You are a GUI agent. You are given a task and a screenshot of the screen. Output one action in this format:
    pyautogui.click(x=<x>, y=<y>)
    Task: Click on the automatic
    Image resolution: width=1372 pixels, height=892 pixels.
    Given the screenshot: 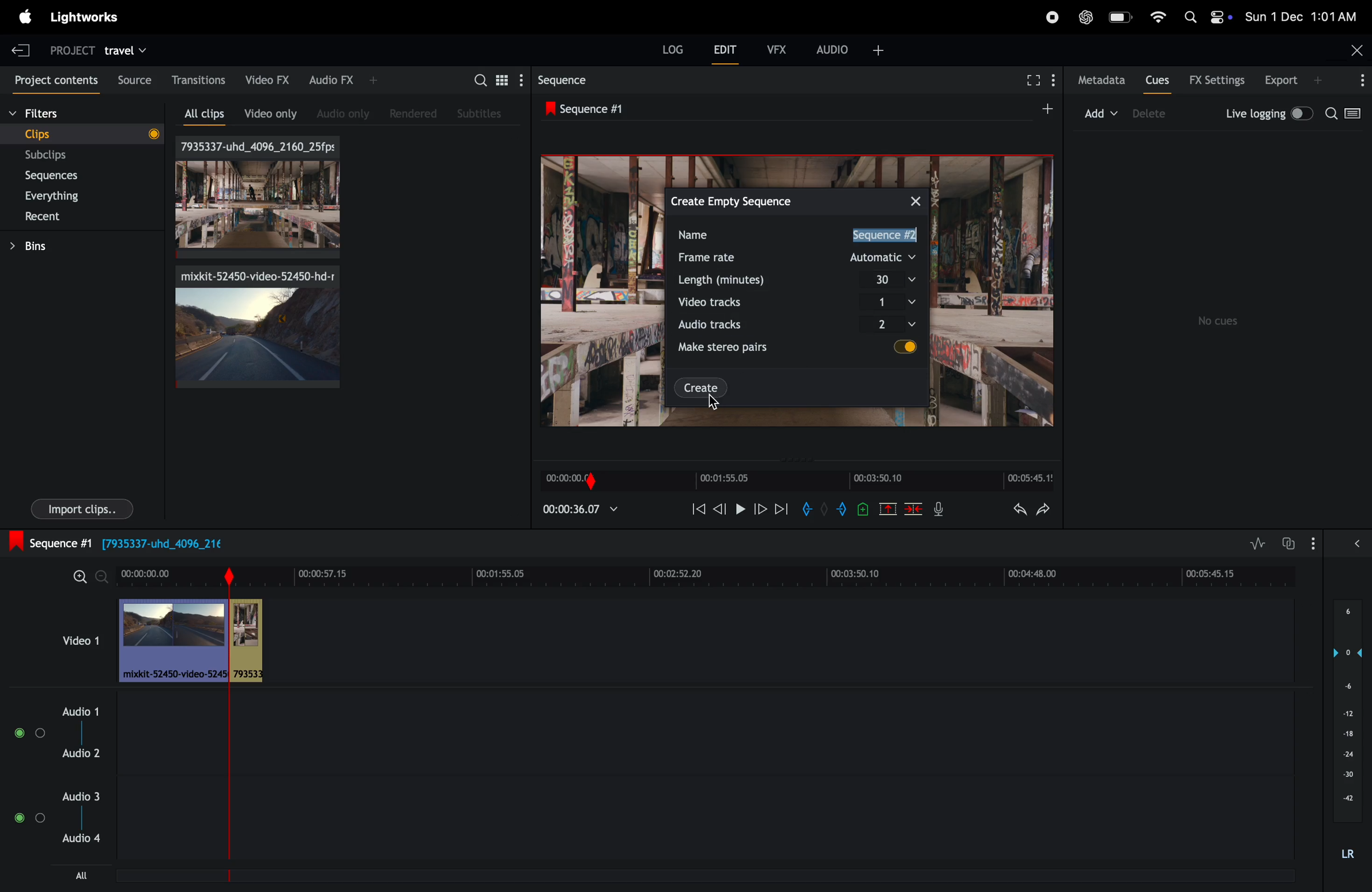 What is the action you would take?
    pyautogui.click(x=885, y=258)
    